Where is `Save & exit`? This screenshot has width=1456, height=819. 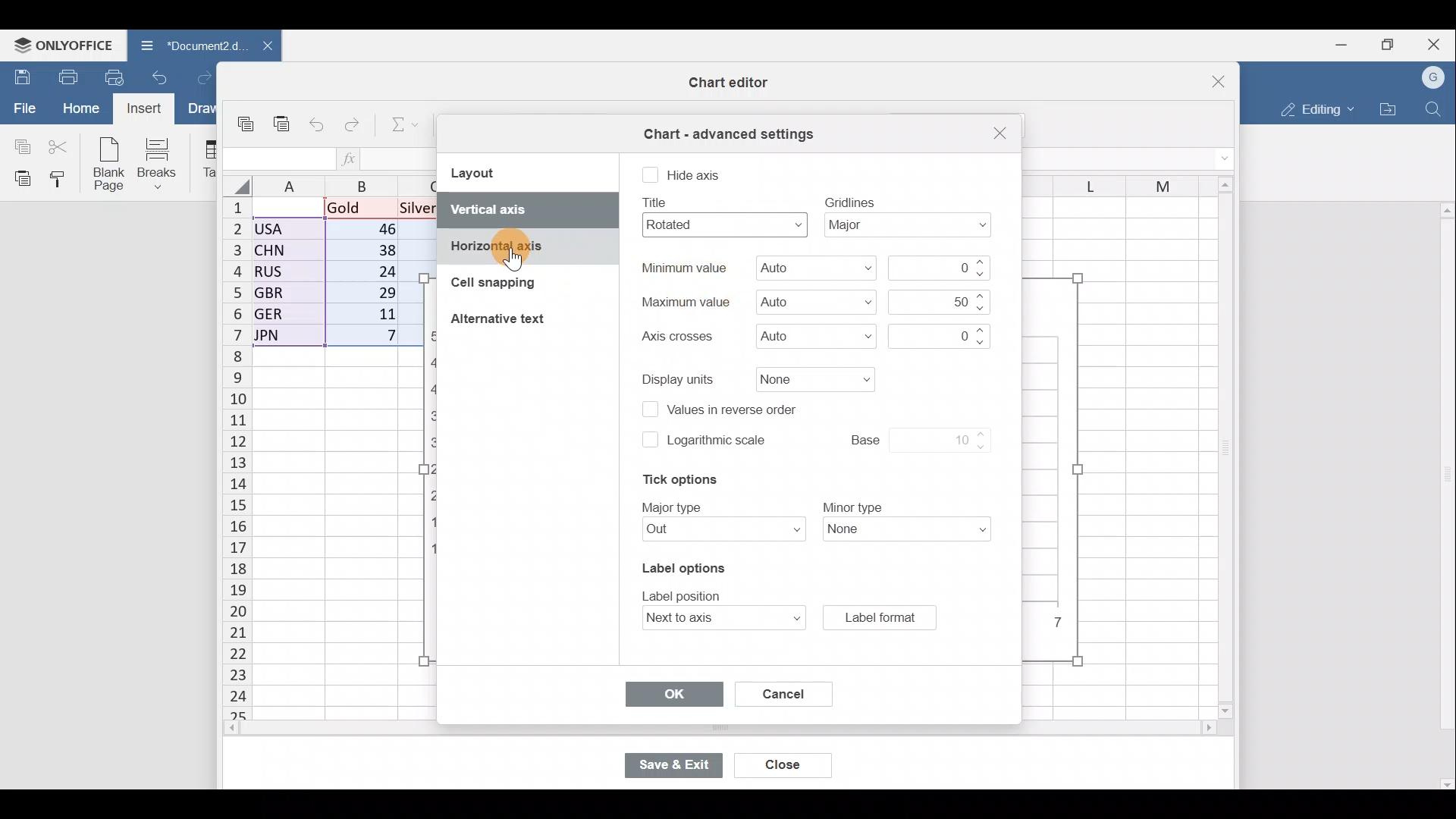
Save & exit is located at coordinates (673, 764).